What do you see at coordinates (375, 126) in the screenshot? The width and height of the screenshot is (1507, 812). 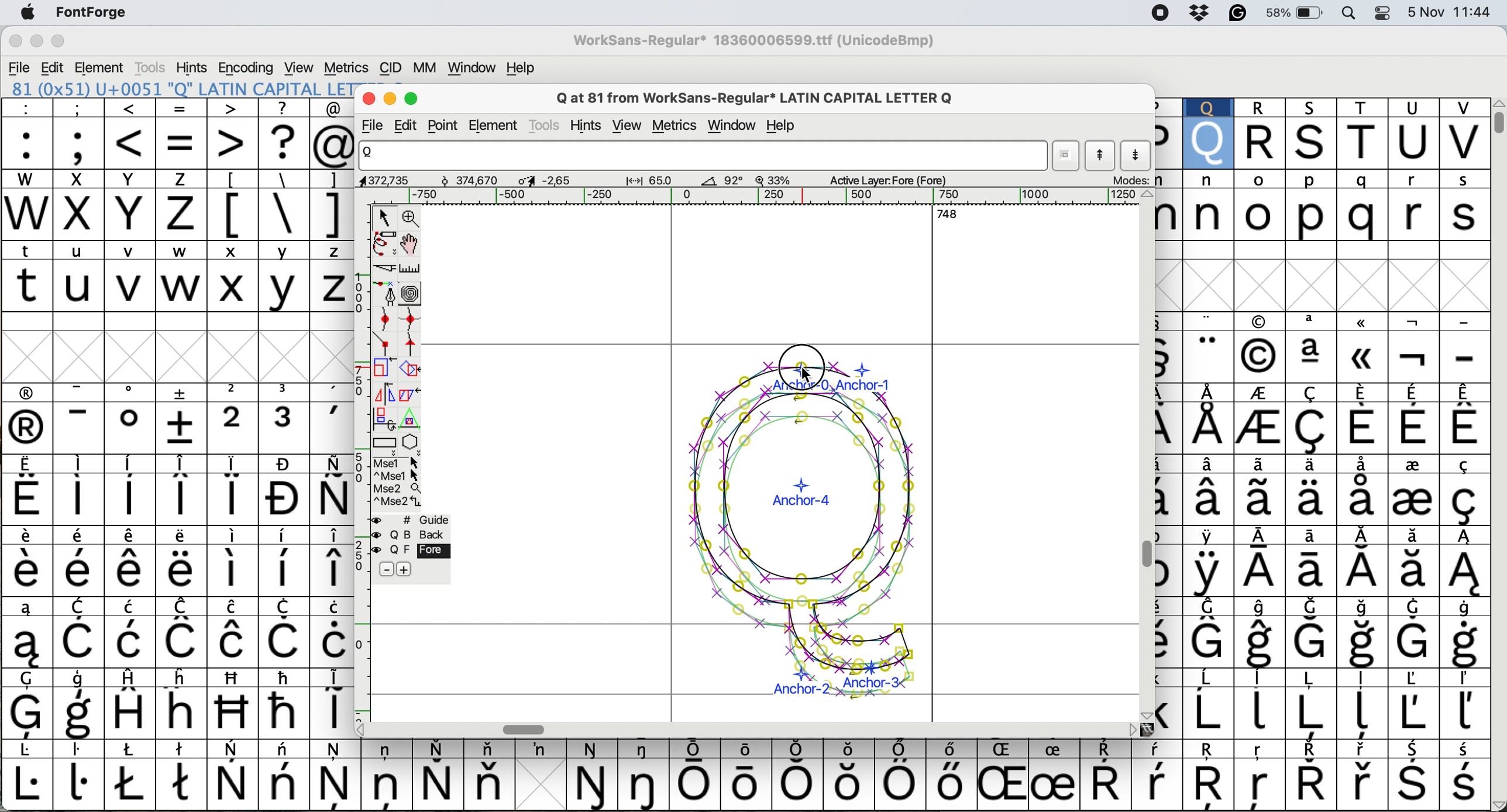 I see `file` at bounding box center [375, 126].